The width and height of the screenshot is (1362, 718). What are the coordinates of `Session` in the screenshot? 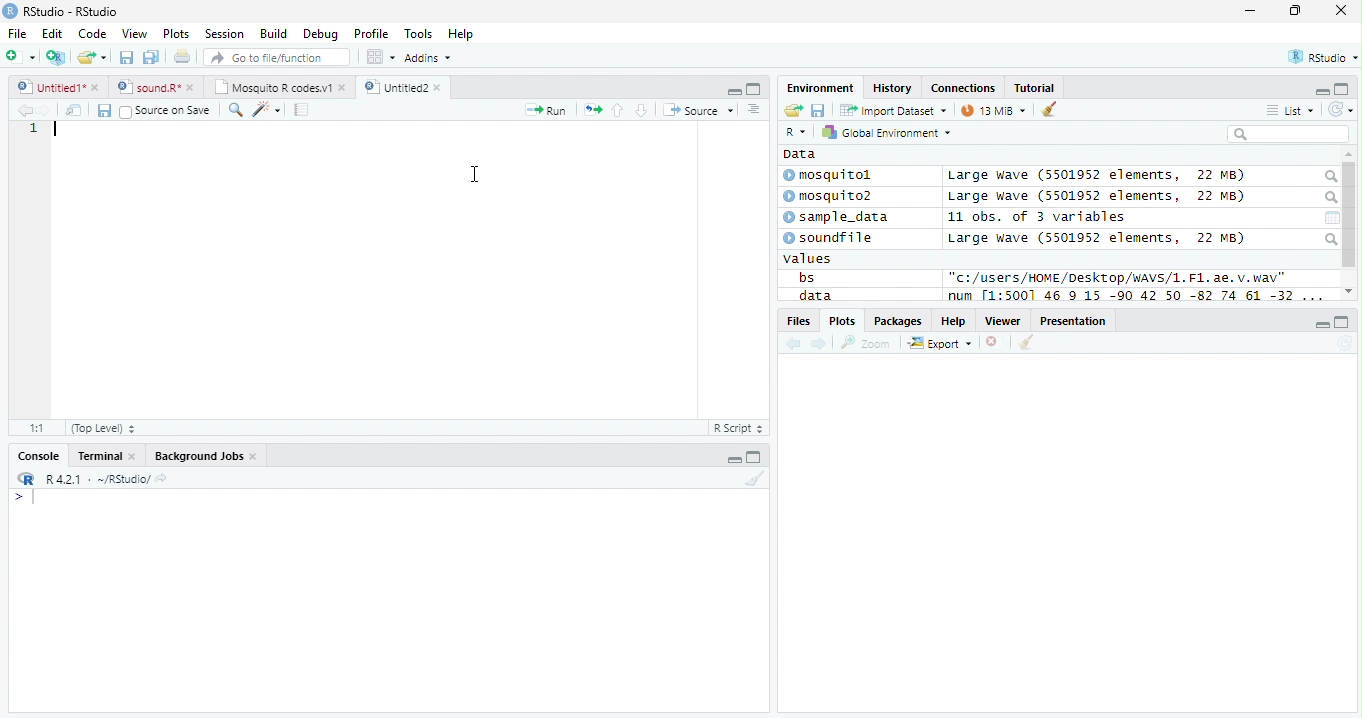 It's located at (224, 33).